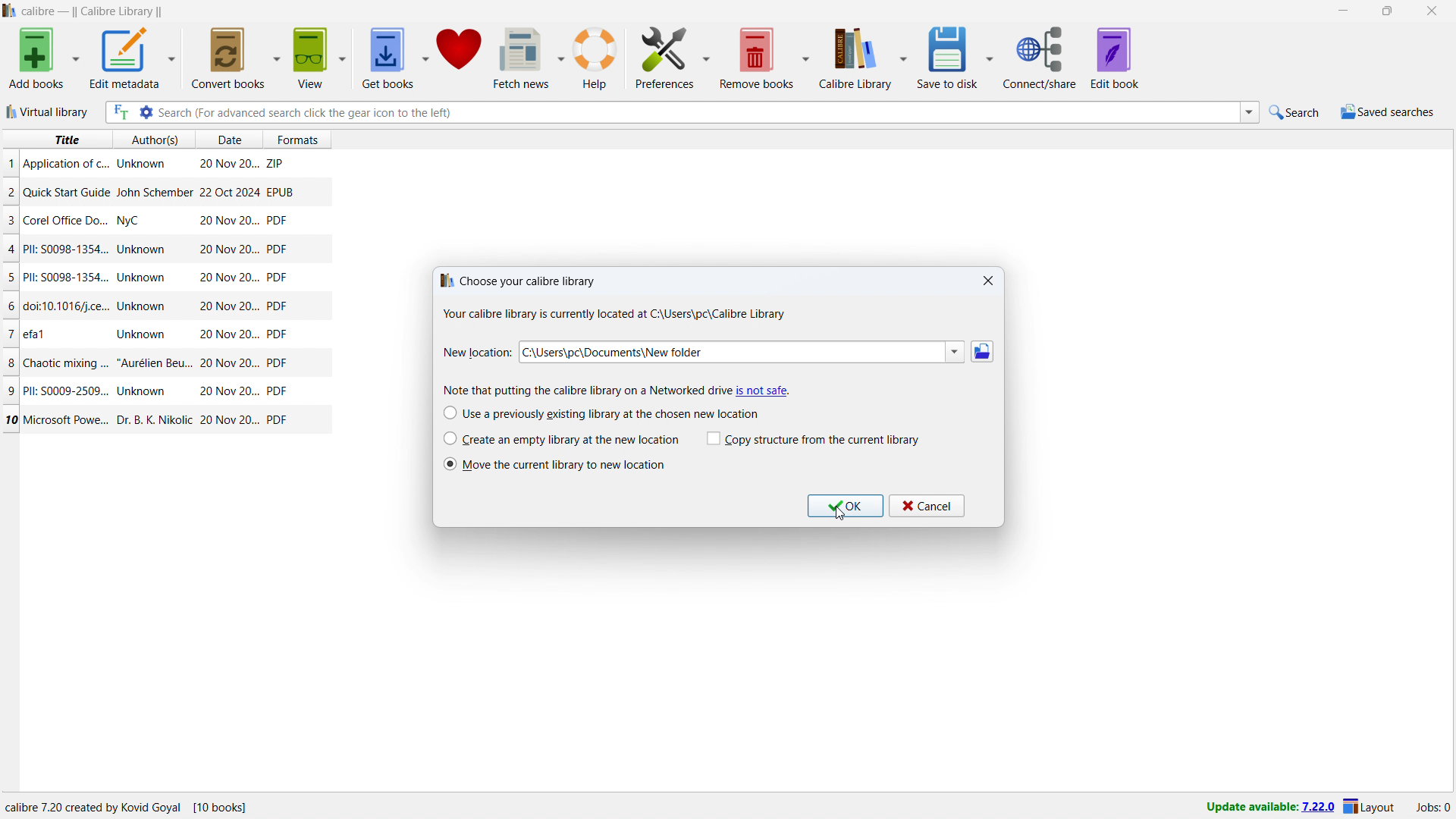  What do you see at coordinates (278, 334) in the screenshot?
I see `PDF` at bounding box center [278, 334].